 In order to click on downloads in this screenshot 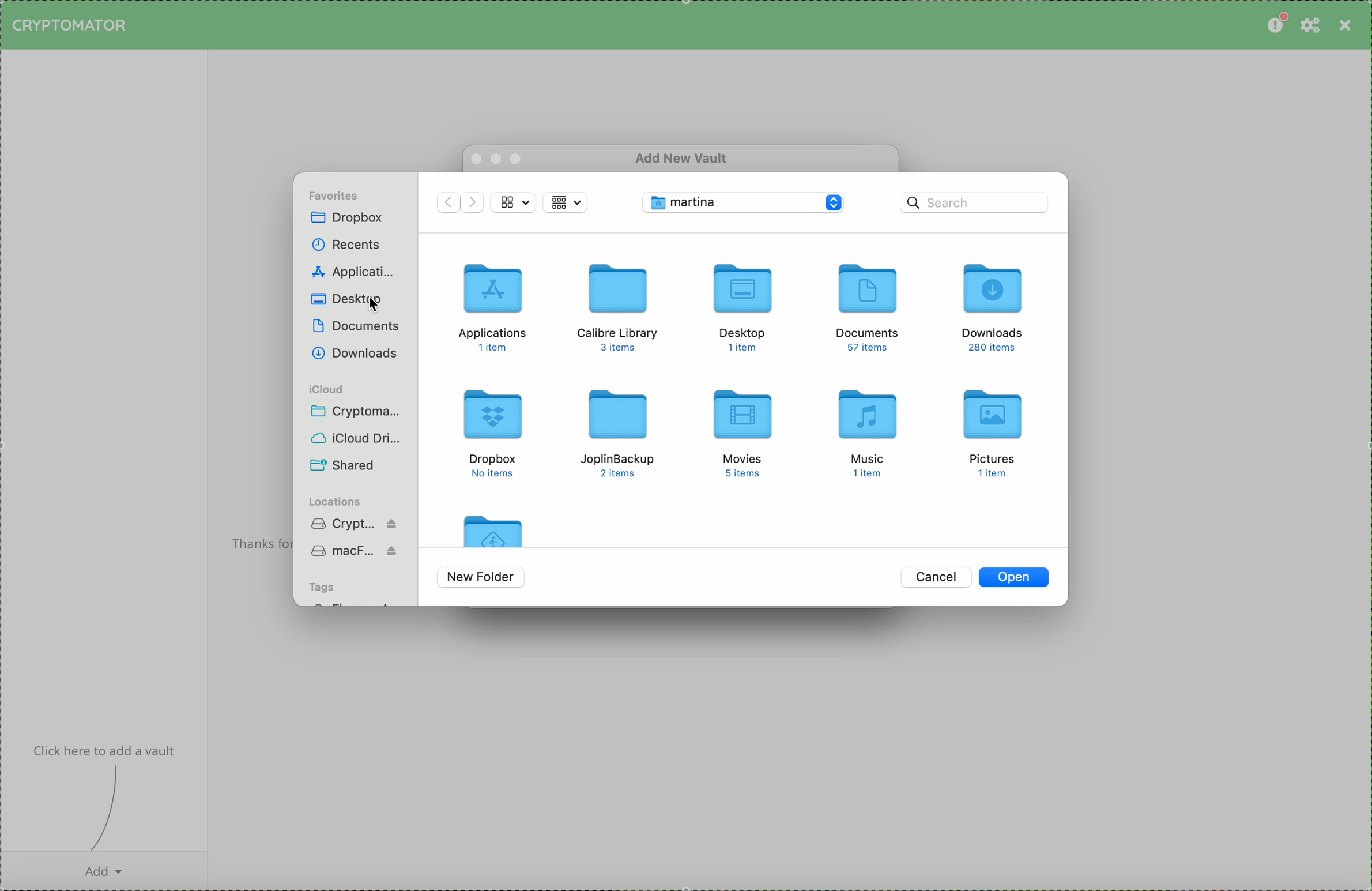, I will do `click(994, 307)`.